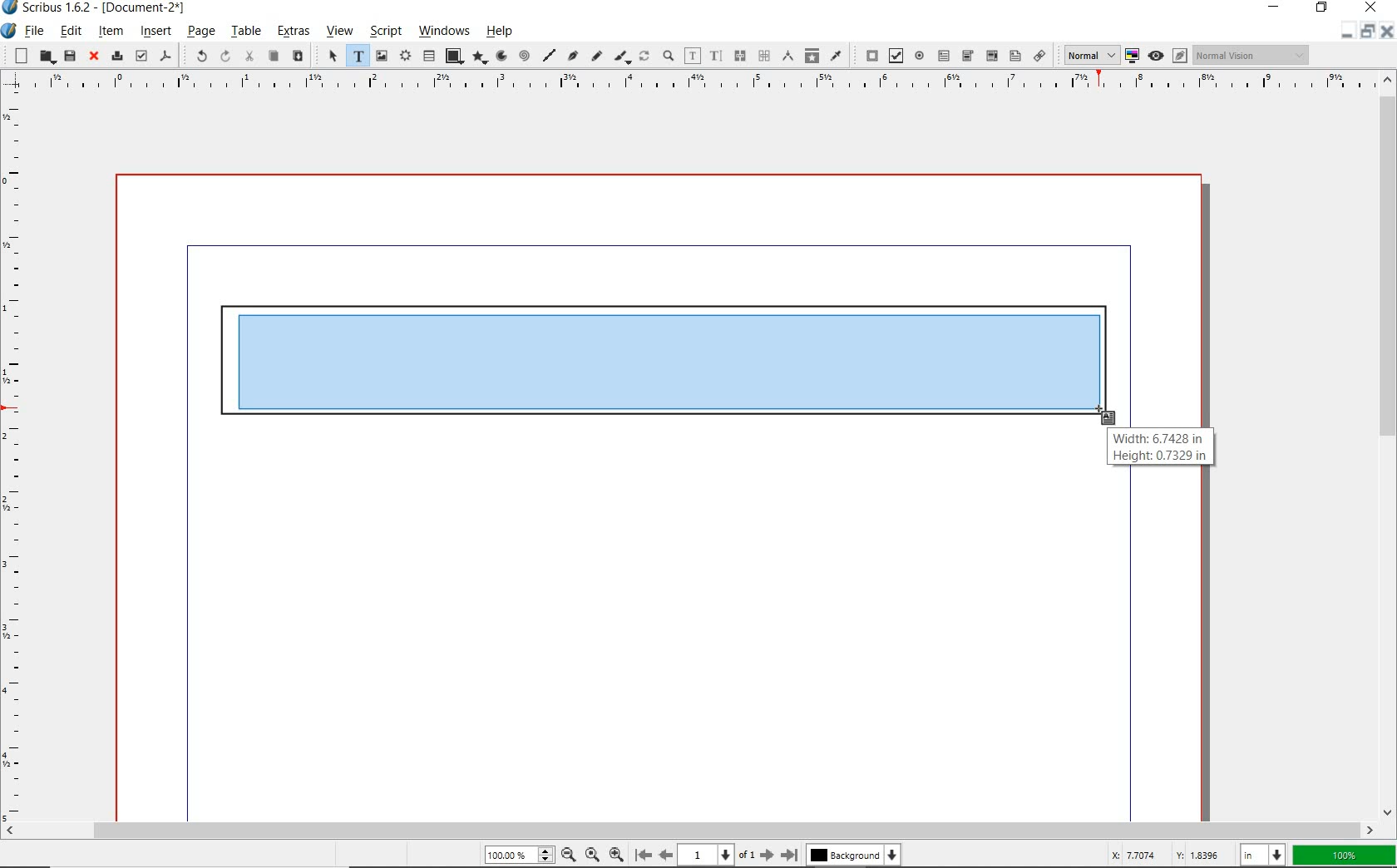 The image size is (1397, 868). Describe the element at coordinates (1086, 55) in the screenshot. I see `select image preview quality` at that location.